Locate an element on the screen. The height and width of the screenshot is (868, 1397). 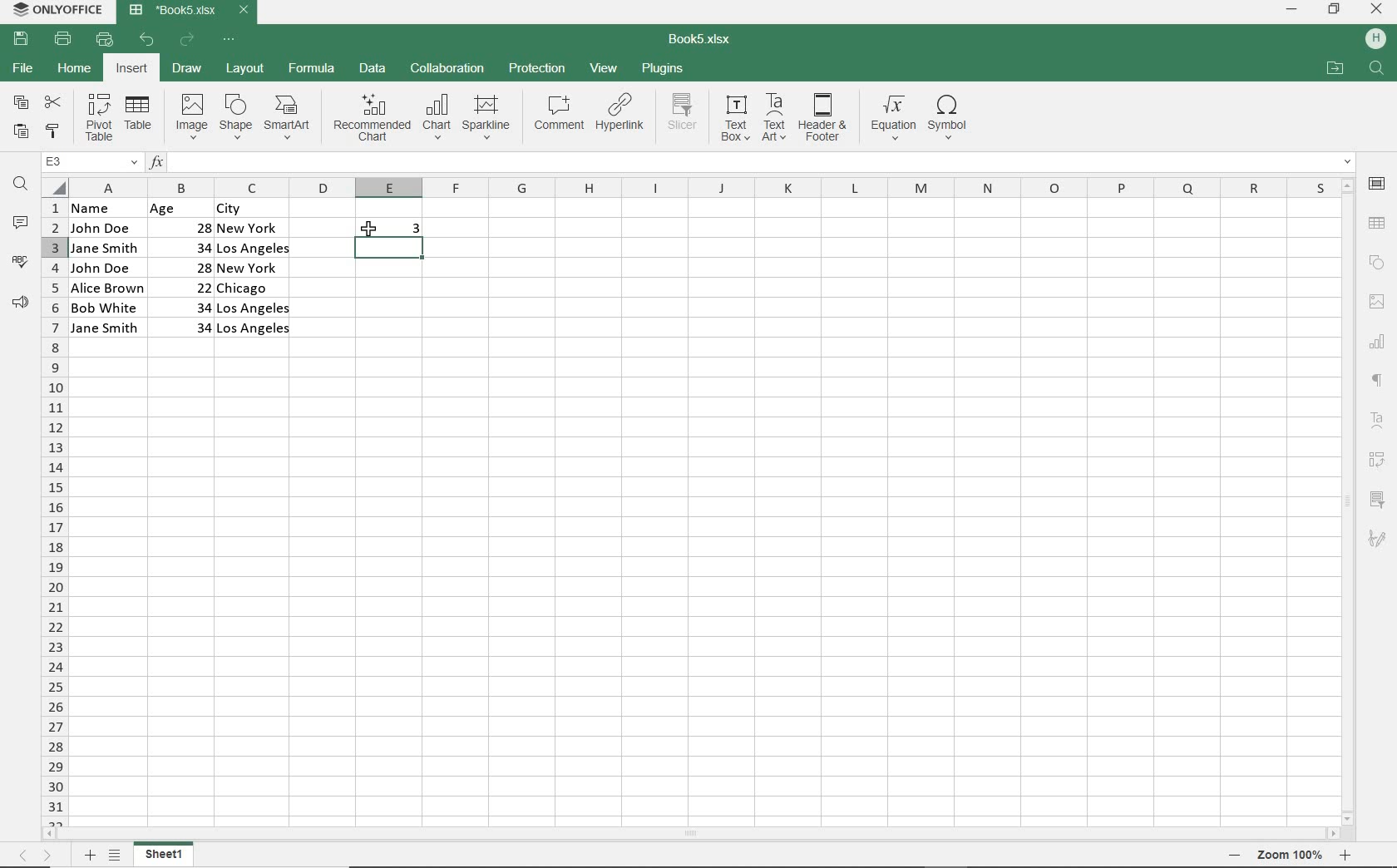
RECOMMENDED CHART is located at coordinates (371, 120).